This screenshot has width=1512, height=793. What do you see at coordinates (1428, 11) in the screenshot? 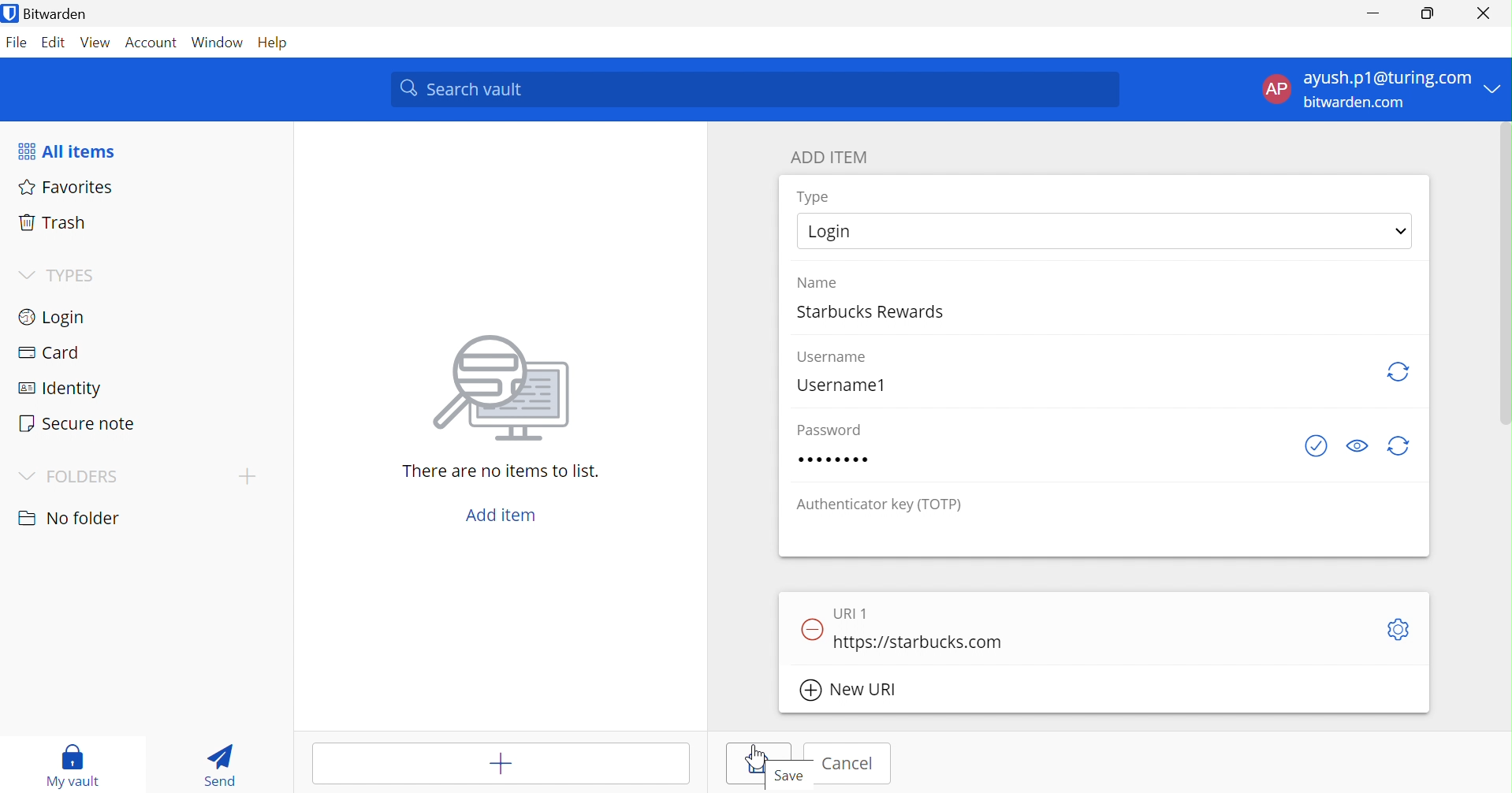
I see `Restore Down` at bounding box center [1428, 11].